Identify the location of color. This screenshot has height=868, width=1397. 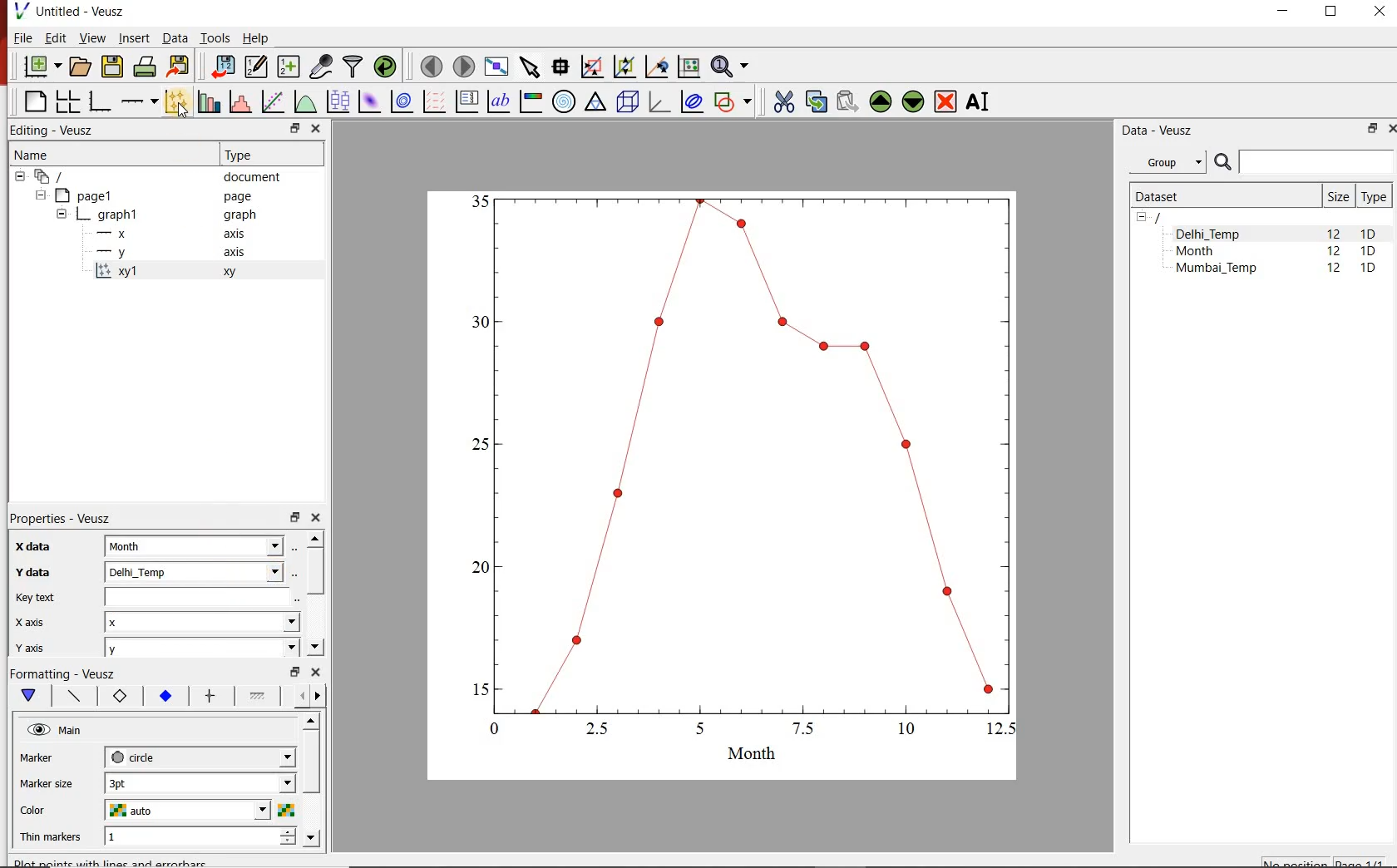
(47, 811).